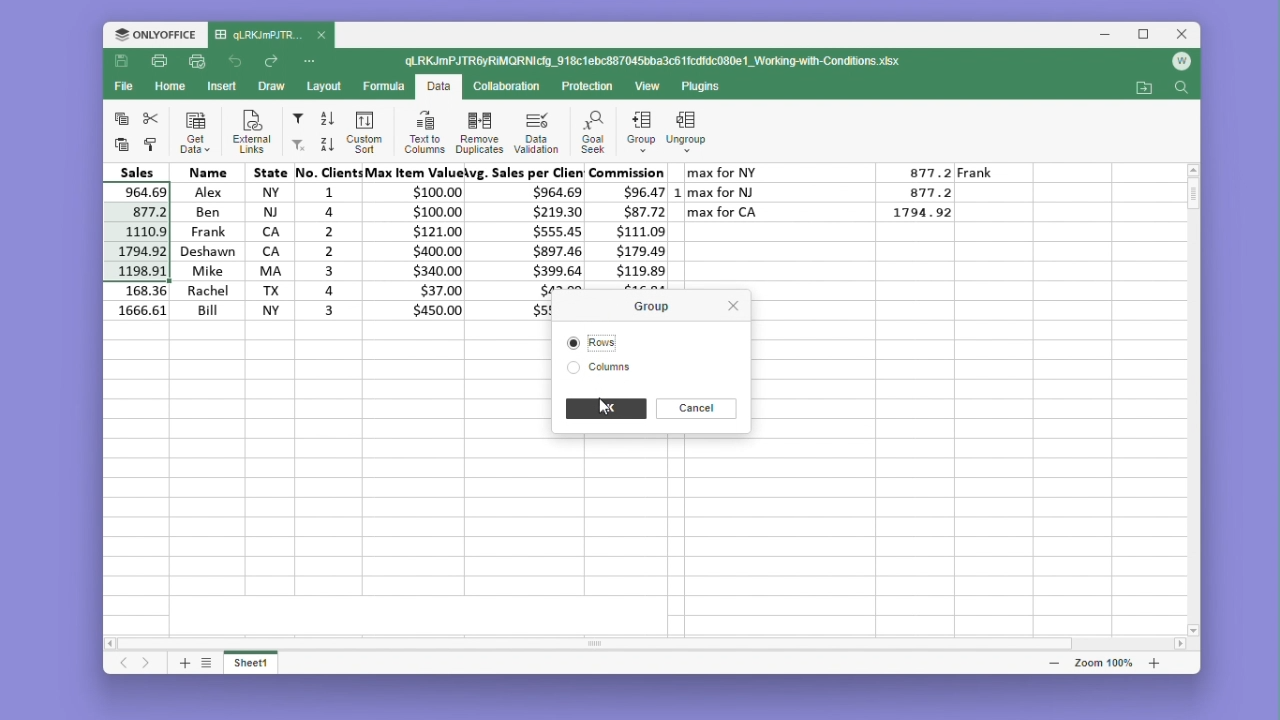  What do you see at coordinates (1148, 35) in the screenshot?
I see `Maximize` at bounding box center [1148, 35].